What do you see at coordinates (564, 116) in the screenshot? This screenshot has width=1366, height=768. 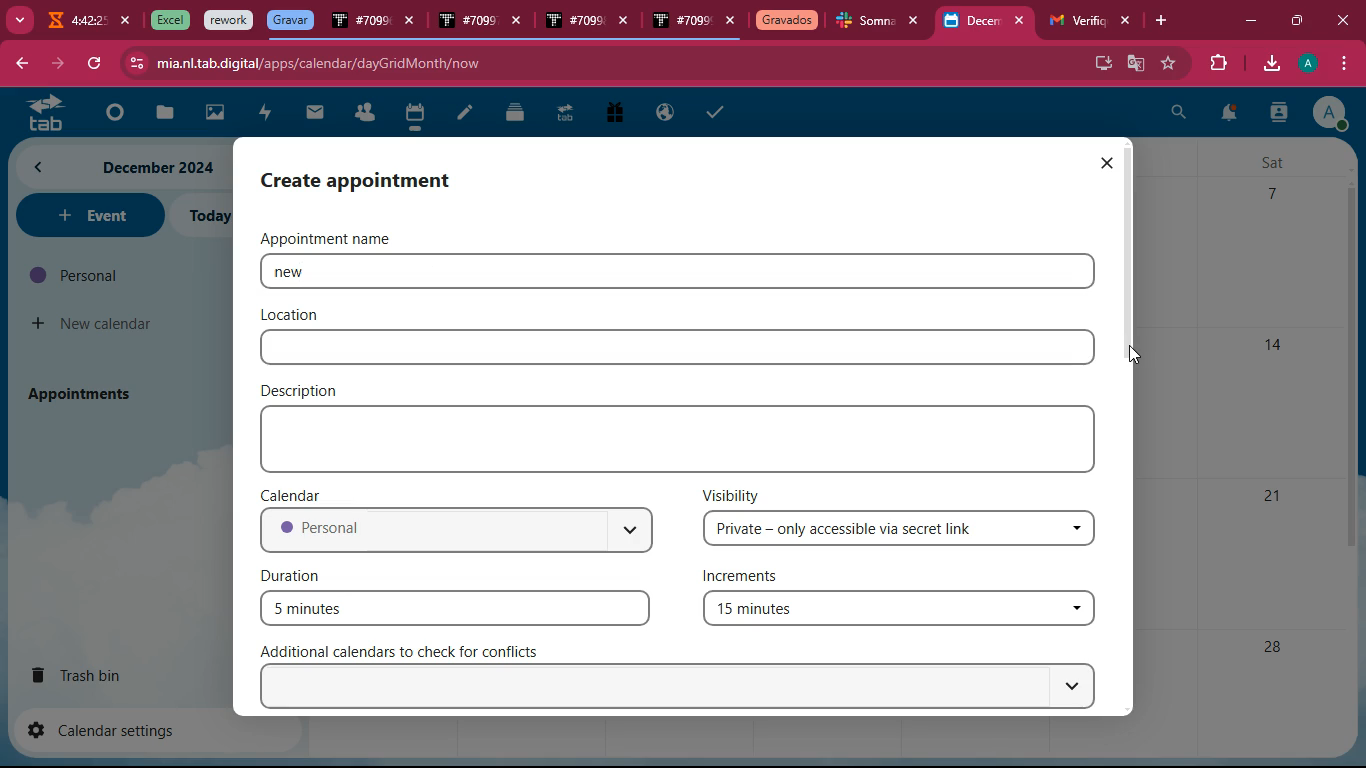 I see `tab` at bounding box center [564, 116].